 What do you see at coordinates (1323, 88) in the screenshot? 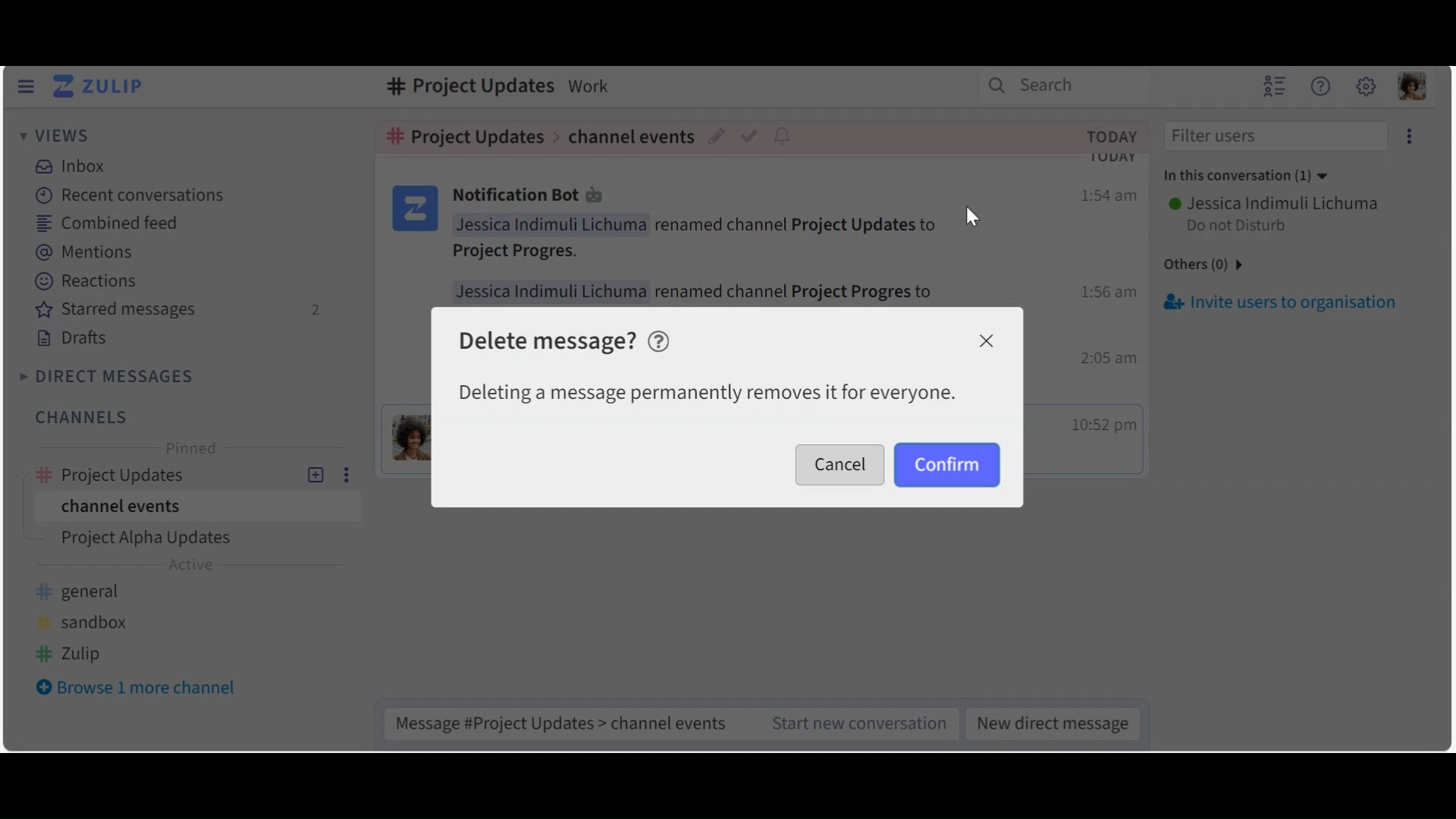
I see `Help menu` at bounding box center [1323, 88].